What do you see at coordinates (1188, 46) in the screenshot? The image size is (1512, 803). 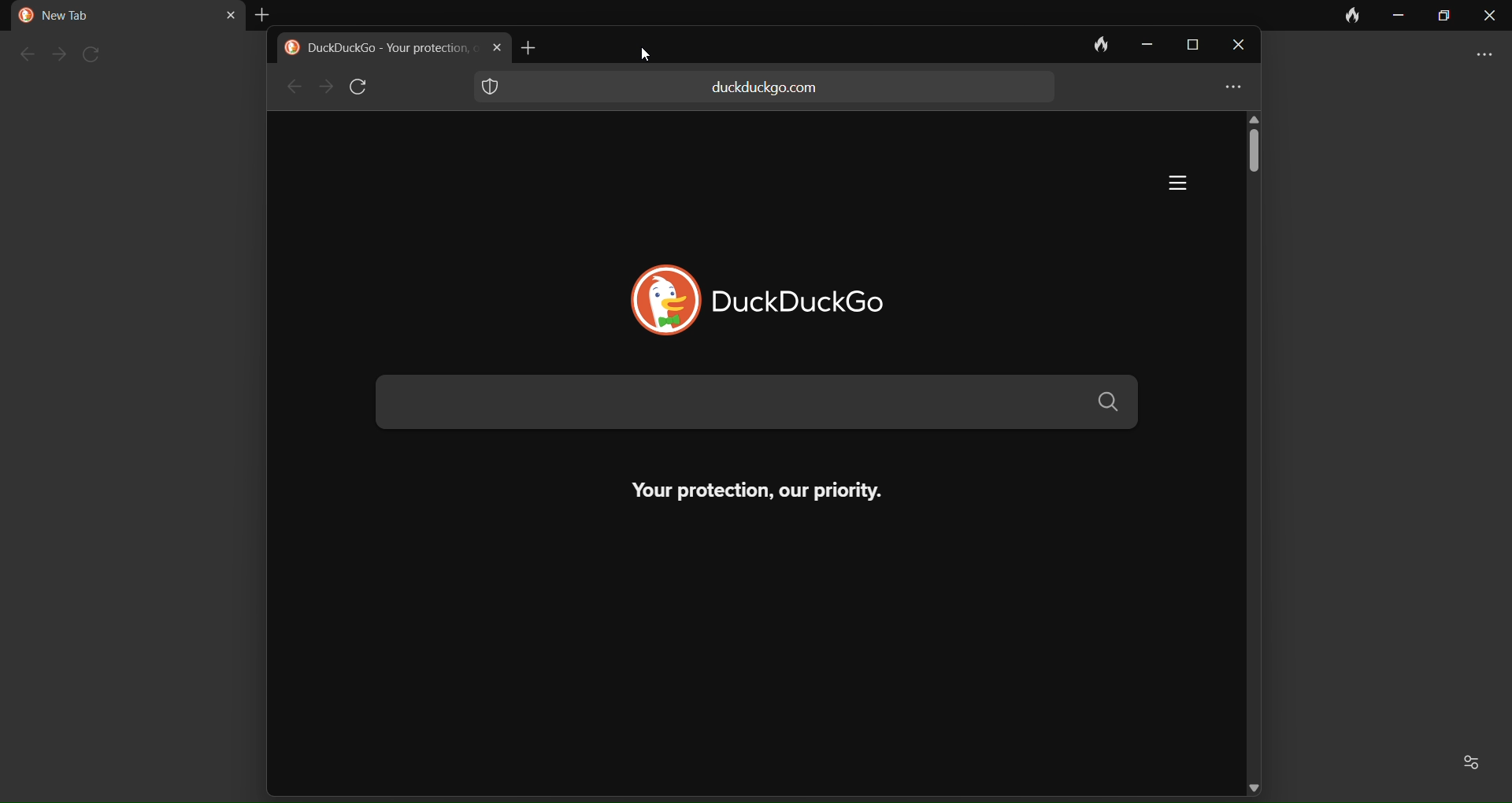 I see `maximize` at bounding box center [1188, 46].